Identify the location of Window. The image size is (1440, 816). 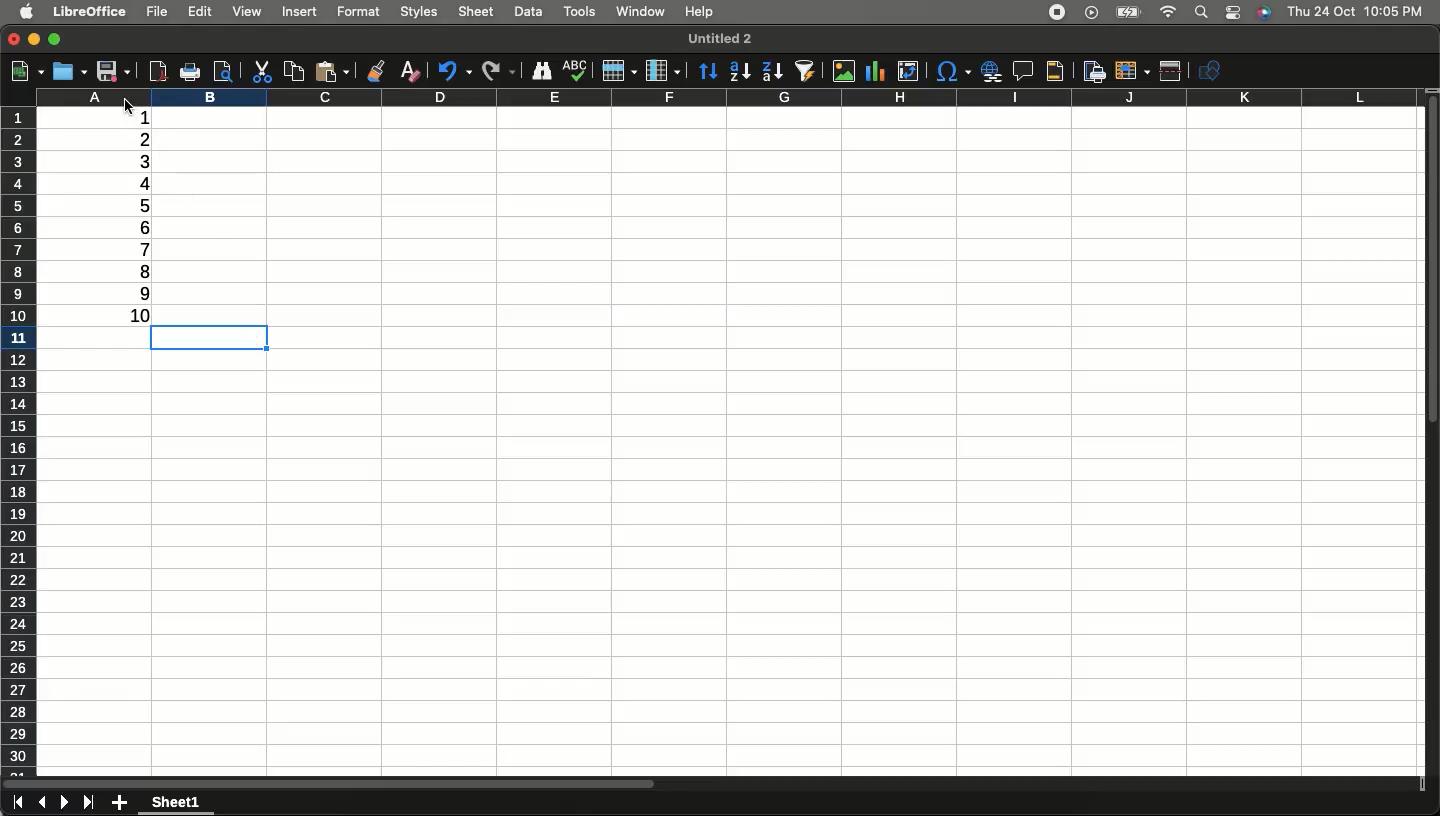
(639, 12).